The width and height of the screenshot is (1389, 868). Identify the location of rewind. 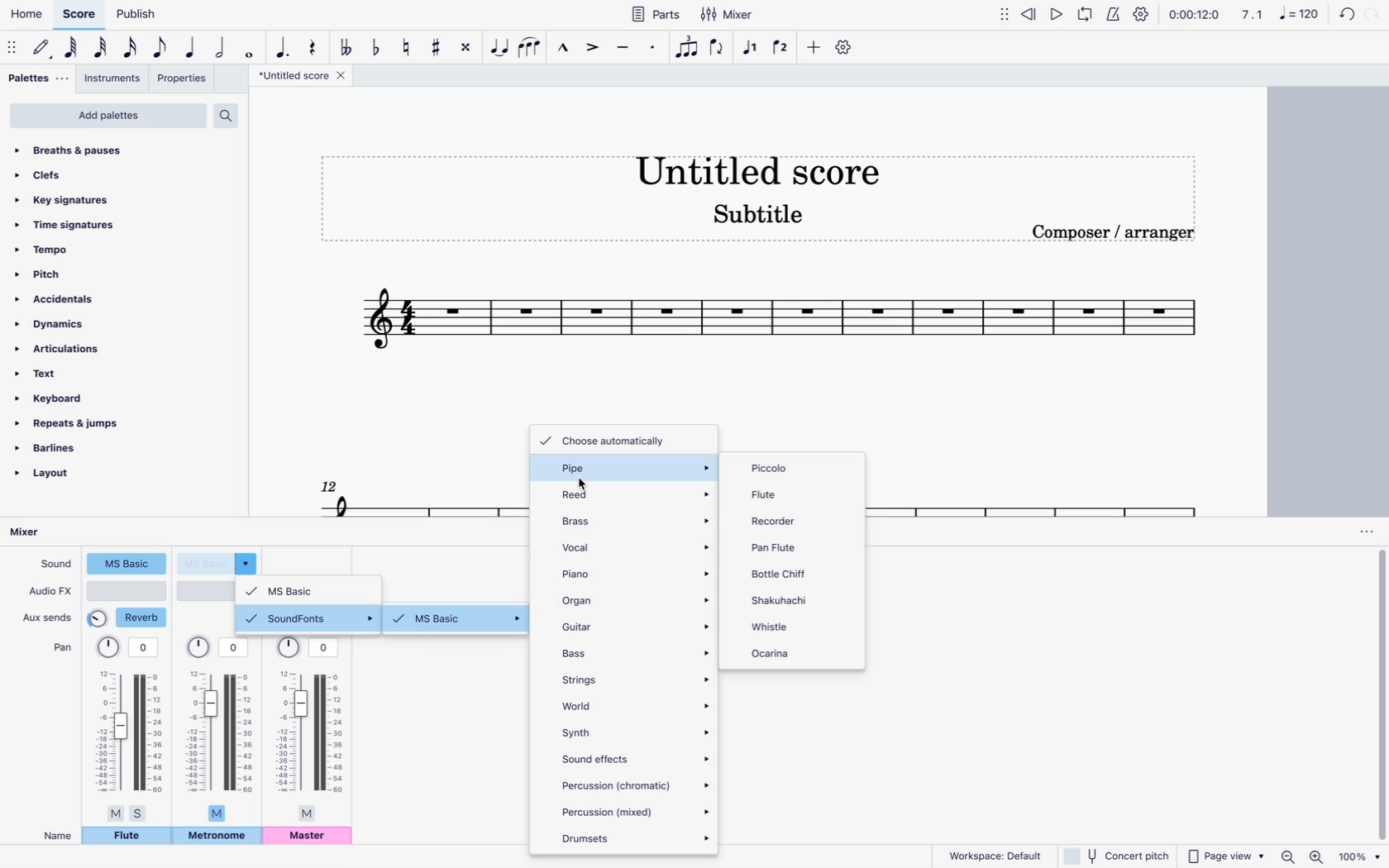
(1029, 17).